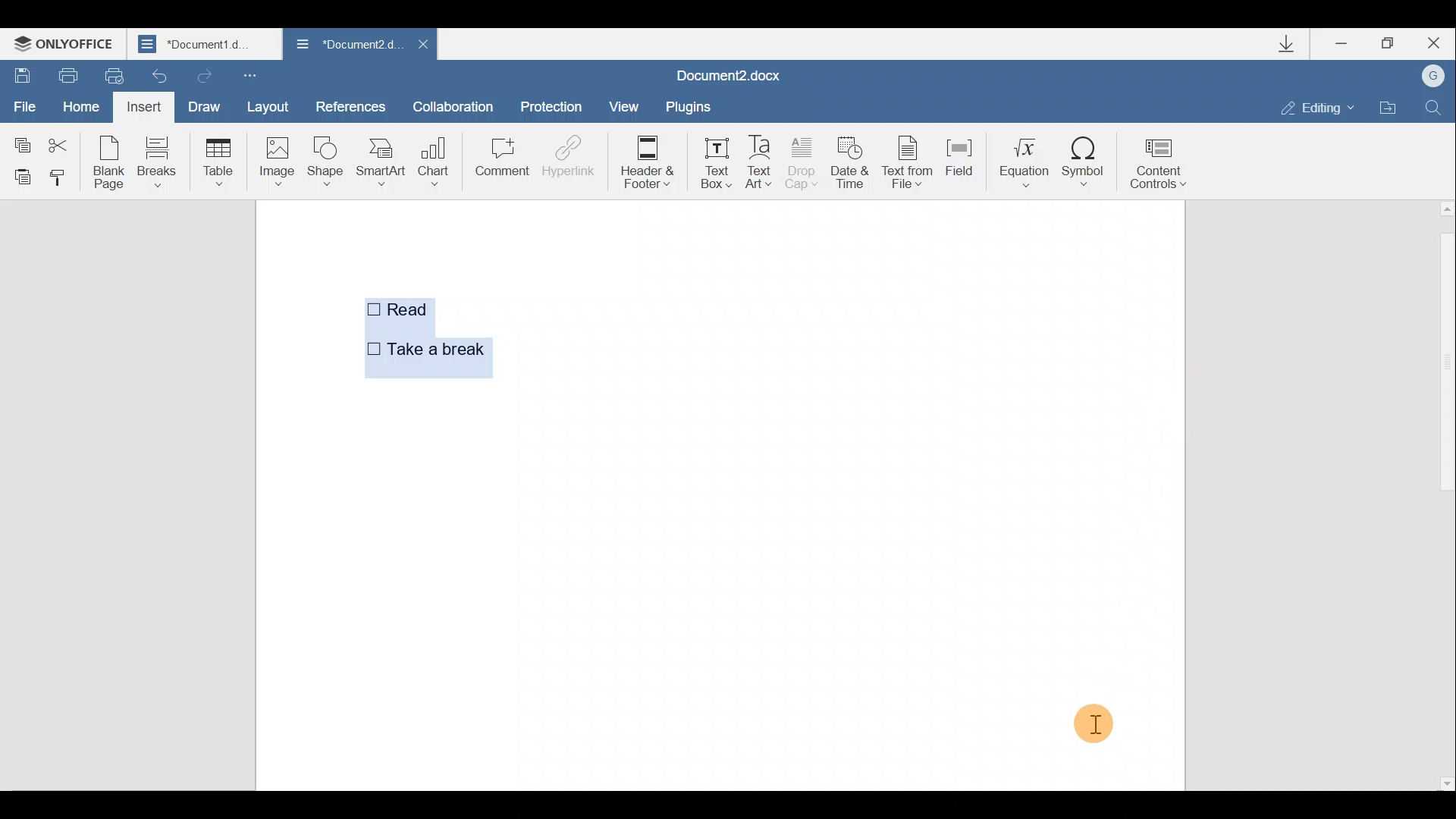 Image resolution: width=1456 pixels, height=819 pixels. What do you see at coordinates (501, 159) in the screenshot?
I see `Comment` at bounding box center [501, 159].